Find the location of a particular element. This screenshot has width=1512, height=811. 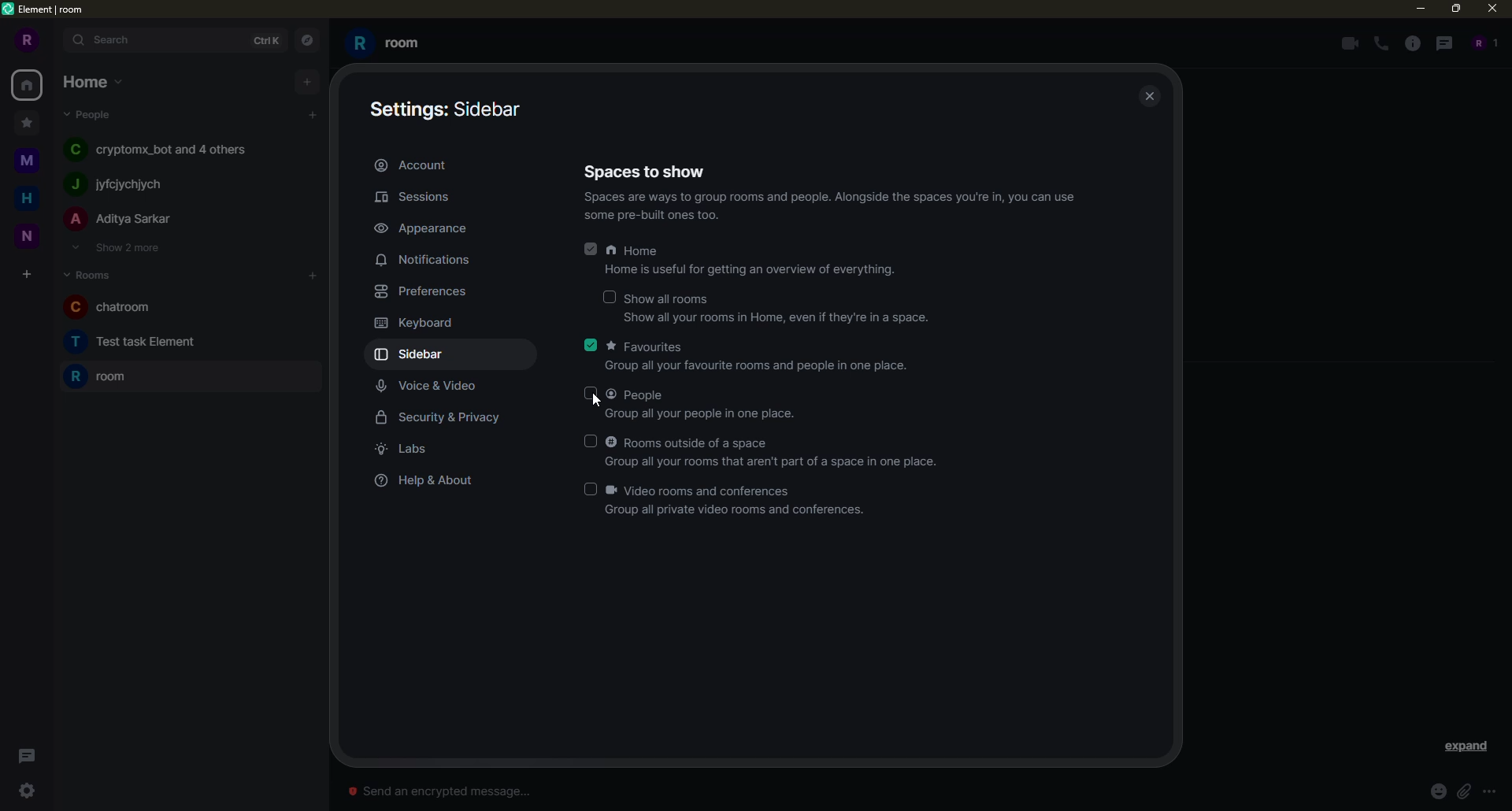

Group all private video rooms and conferences. is located at coordinates (724, 512).